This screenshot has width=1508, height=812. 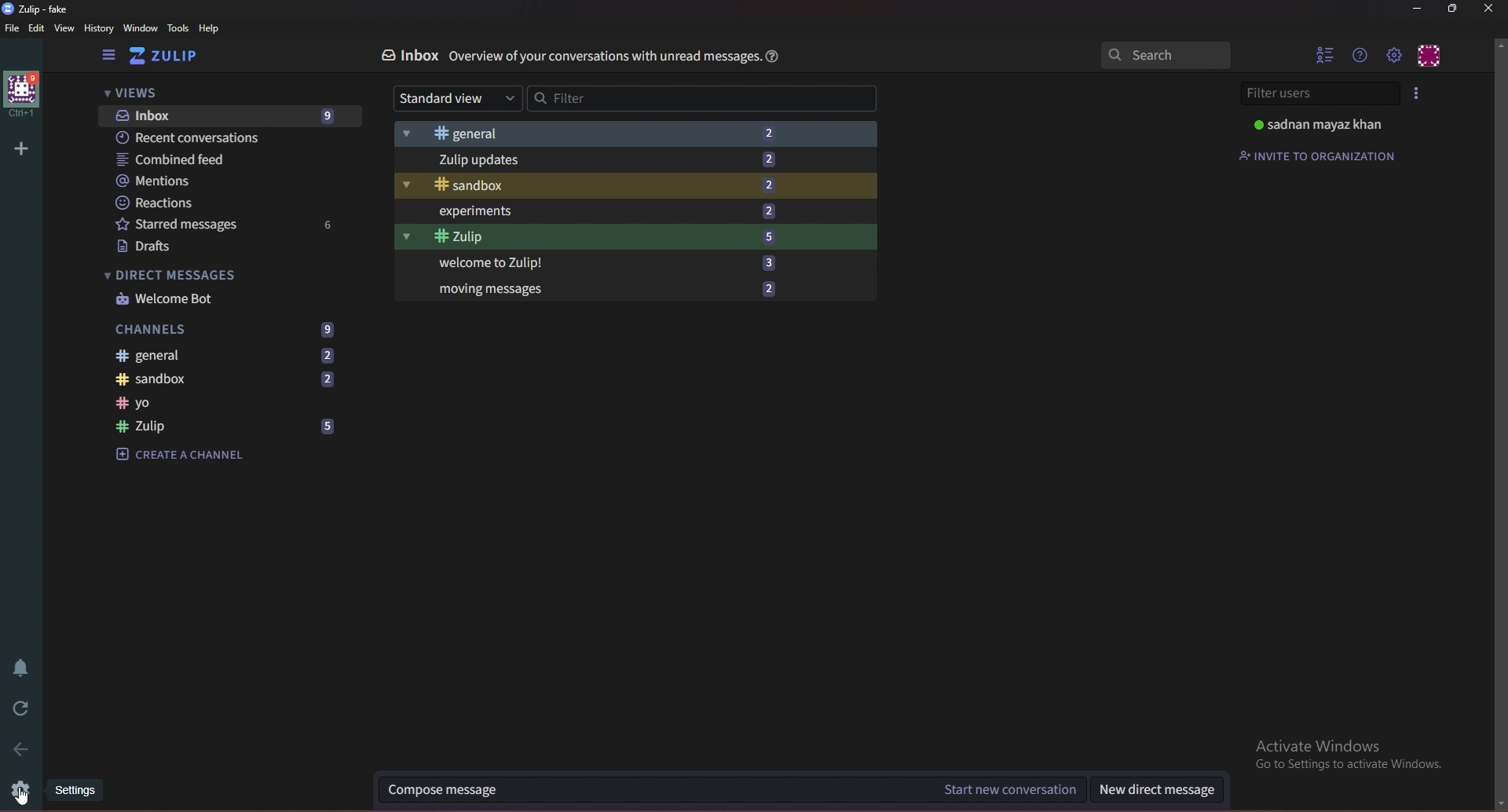 What do you see at coordinates (639, 240) in the screenshot?
I see `Zulip` at bounding box center [639, 240].